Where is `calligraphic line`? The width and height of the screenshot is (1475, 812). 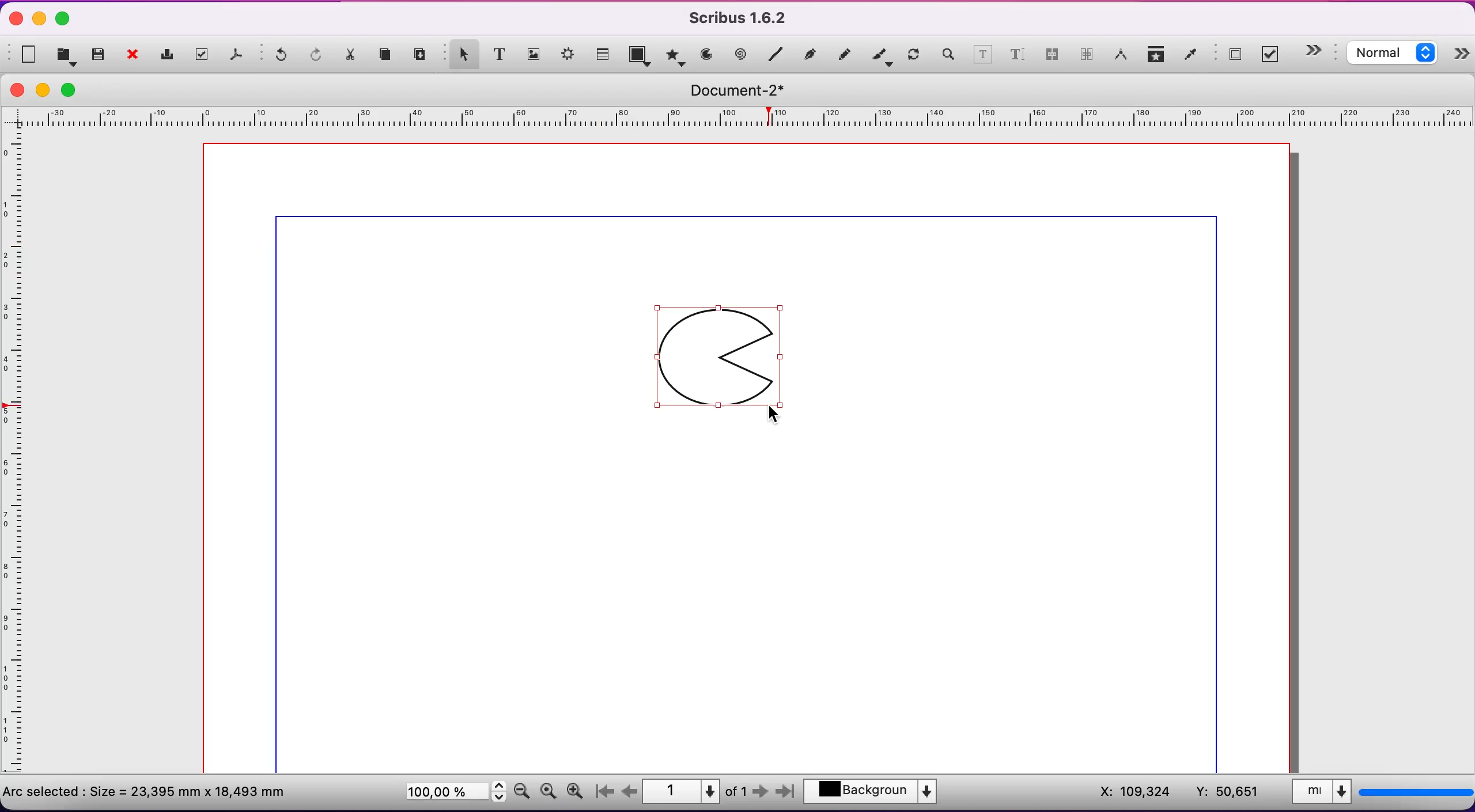
calligraphic line is located at coordinates (882, 56).